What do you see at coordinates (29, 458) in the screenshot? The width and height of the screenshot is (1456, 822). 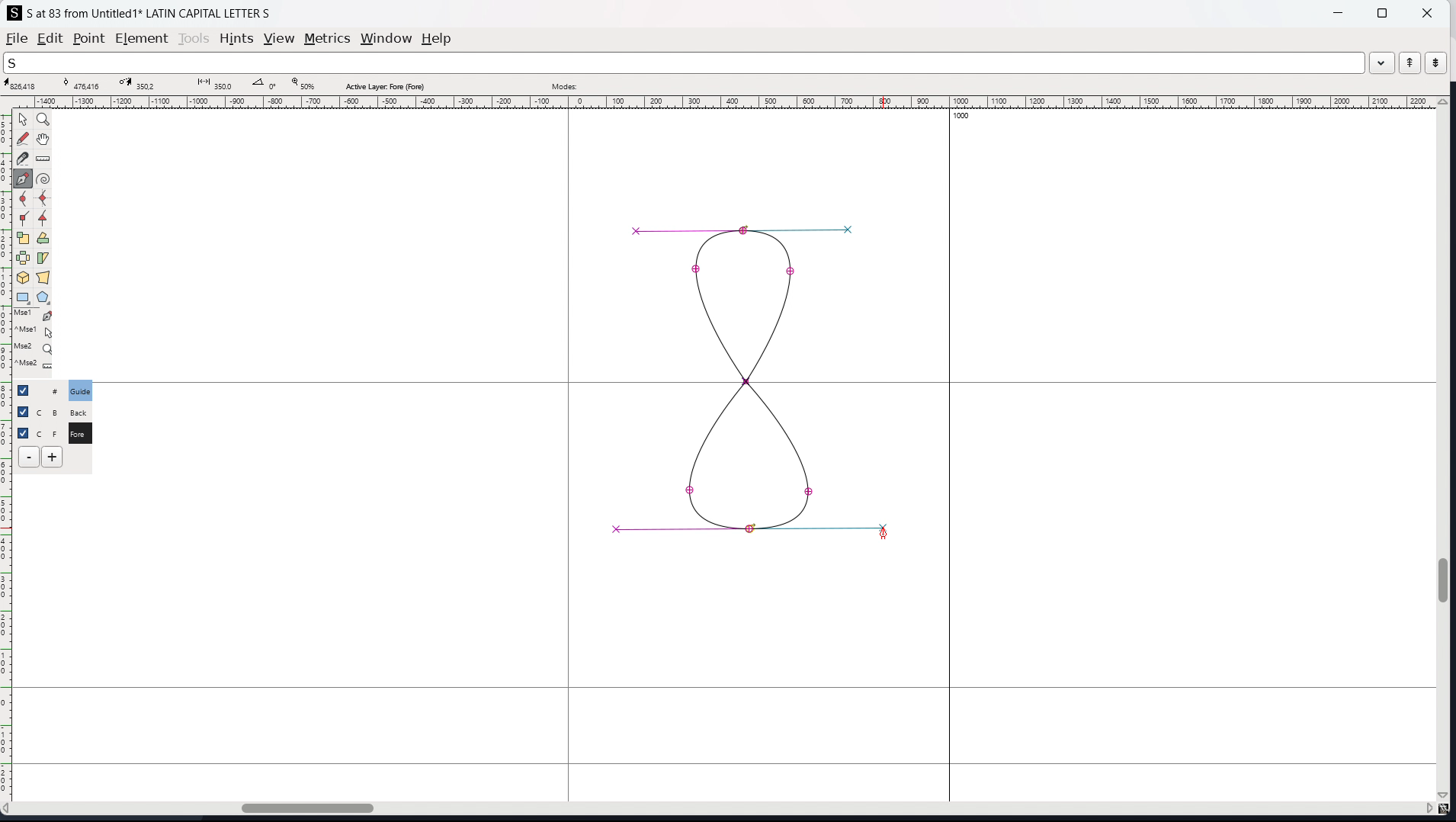 I see `delete layer` at bounding box center [29, 458].